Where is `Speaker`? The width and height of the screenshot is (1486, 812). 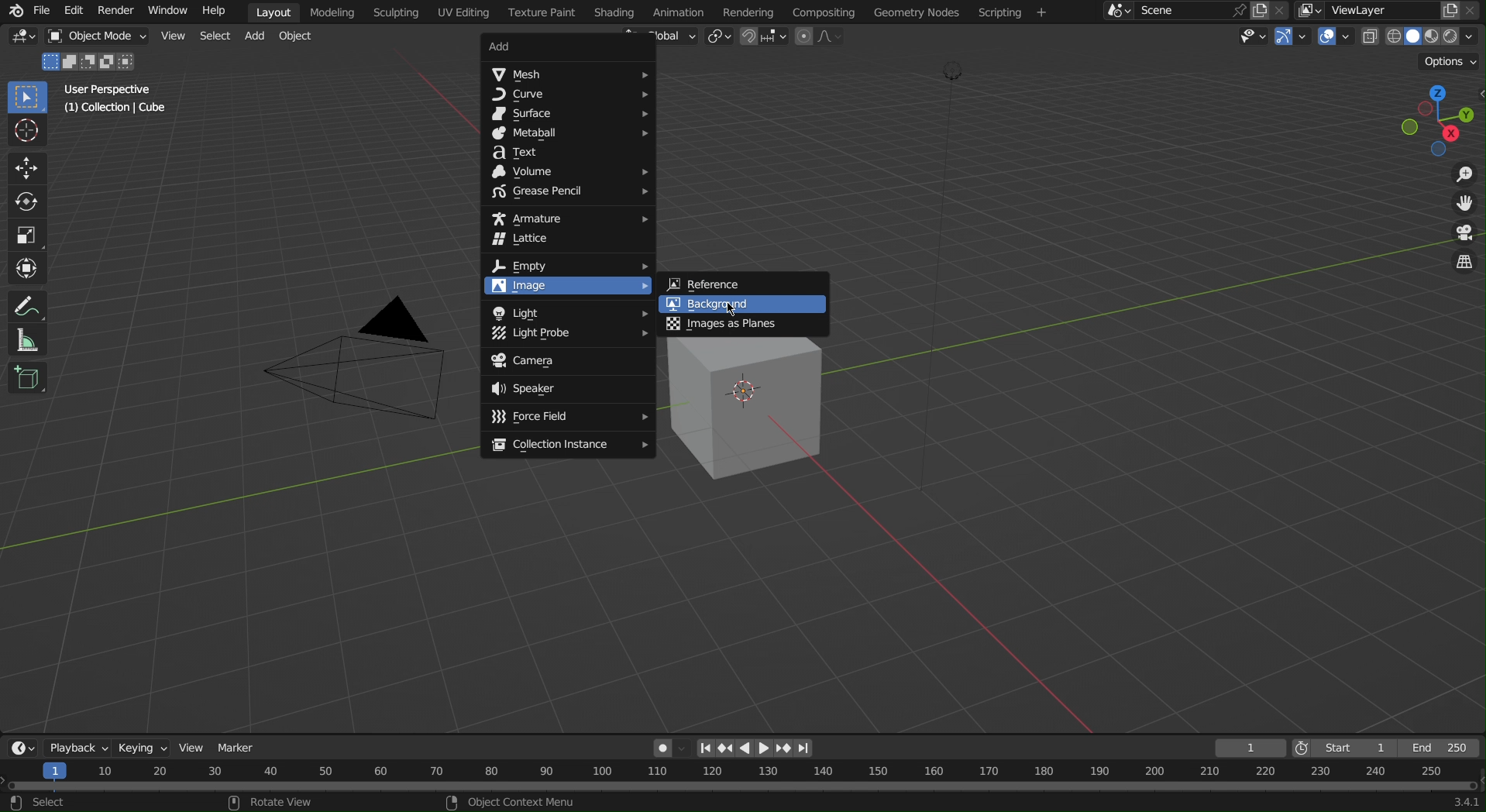
Speaker is located at coordinates (568, 389).